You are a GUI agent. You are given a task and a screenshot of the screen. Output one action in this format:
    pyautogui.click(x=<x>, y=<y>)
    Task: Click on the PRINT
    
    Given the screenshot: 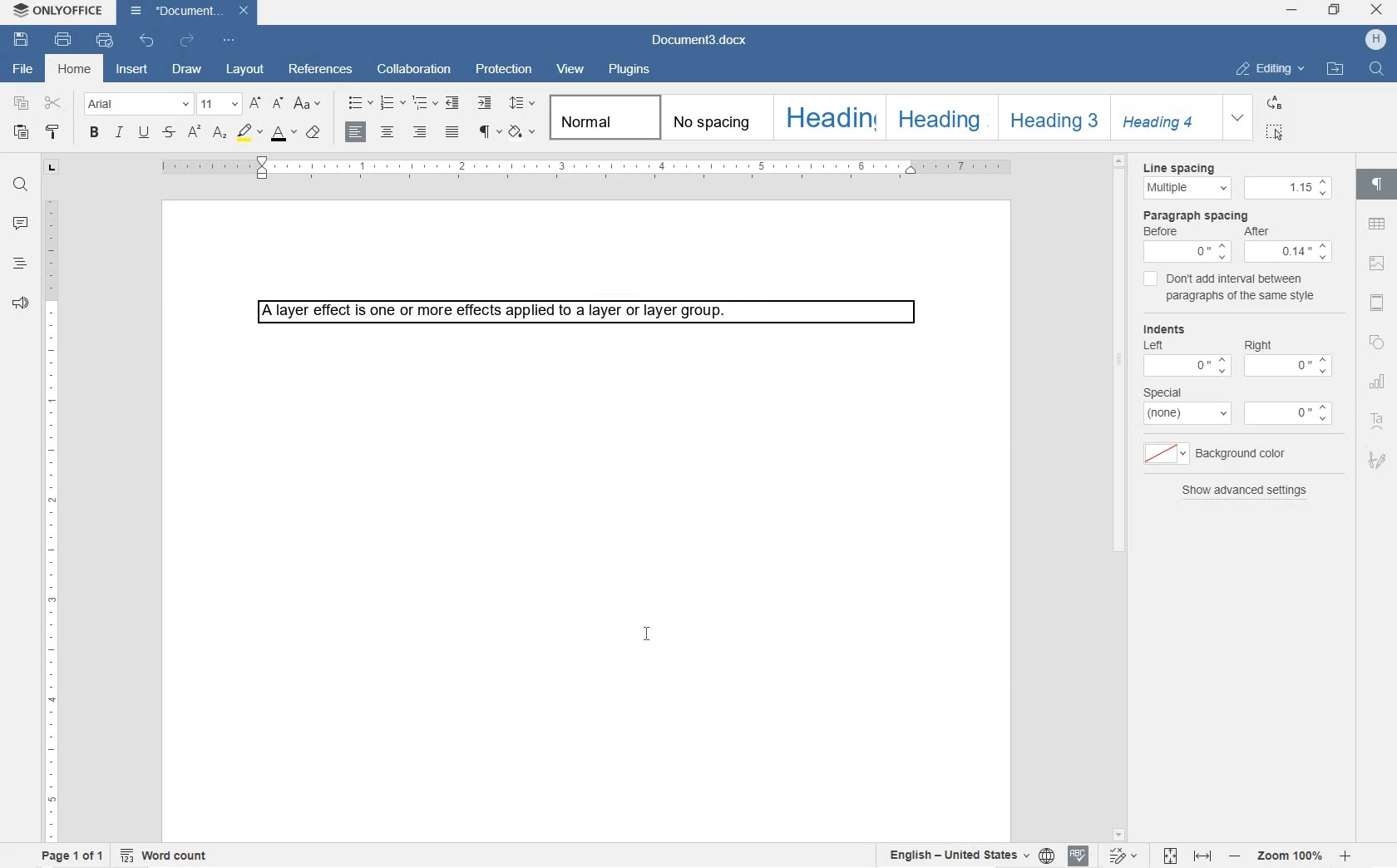 What is the action you would take?
    pyautogui.click(x=64, y=40)
    